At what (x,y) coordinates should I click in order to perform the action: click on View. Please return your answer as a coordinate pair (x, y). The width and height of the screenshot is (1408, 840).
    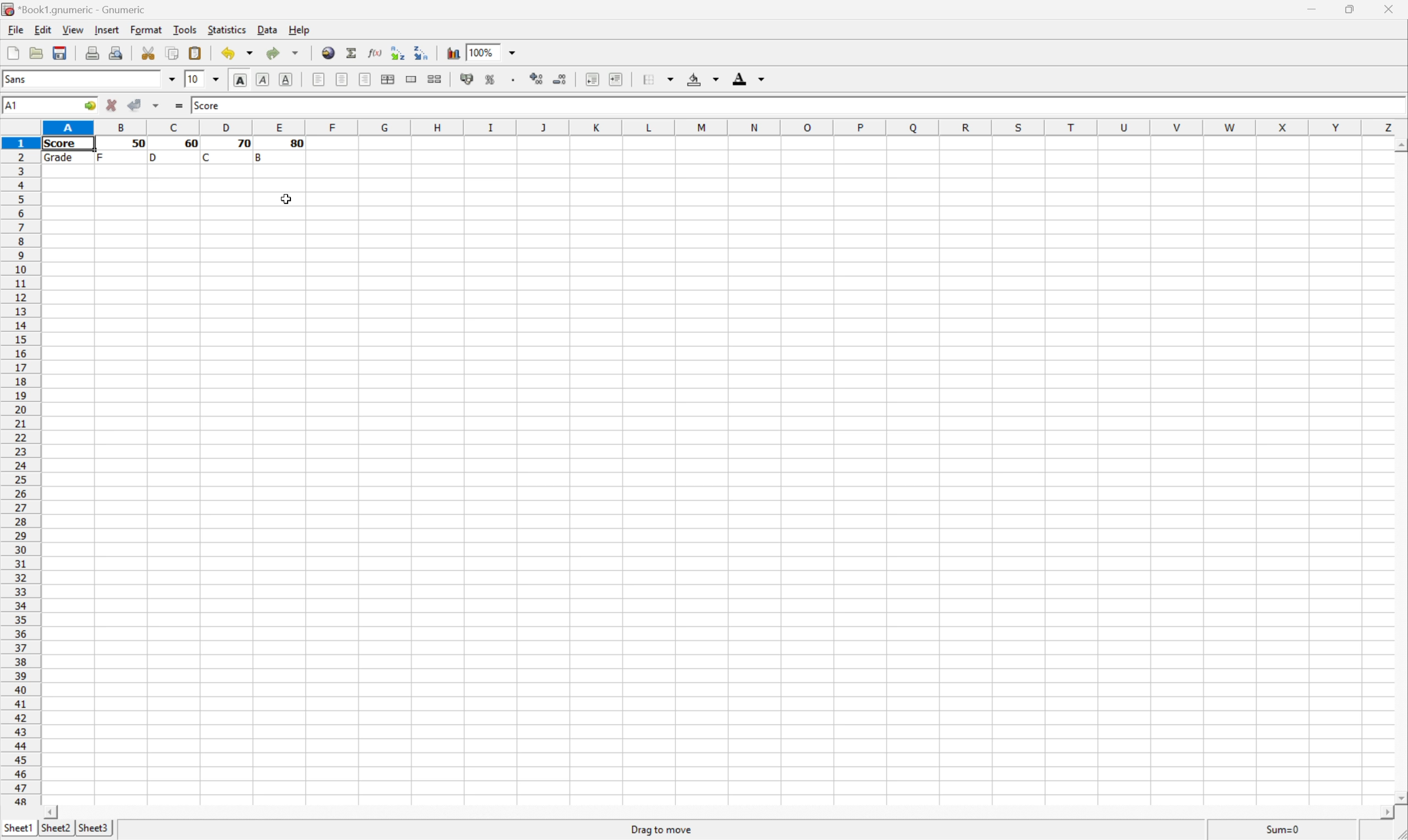
    Looking at the image, I should click on (72, 29).